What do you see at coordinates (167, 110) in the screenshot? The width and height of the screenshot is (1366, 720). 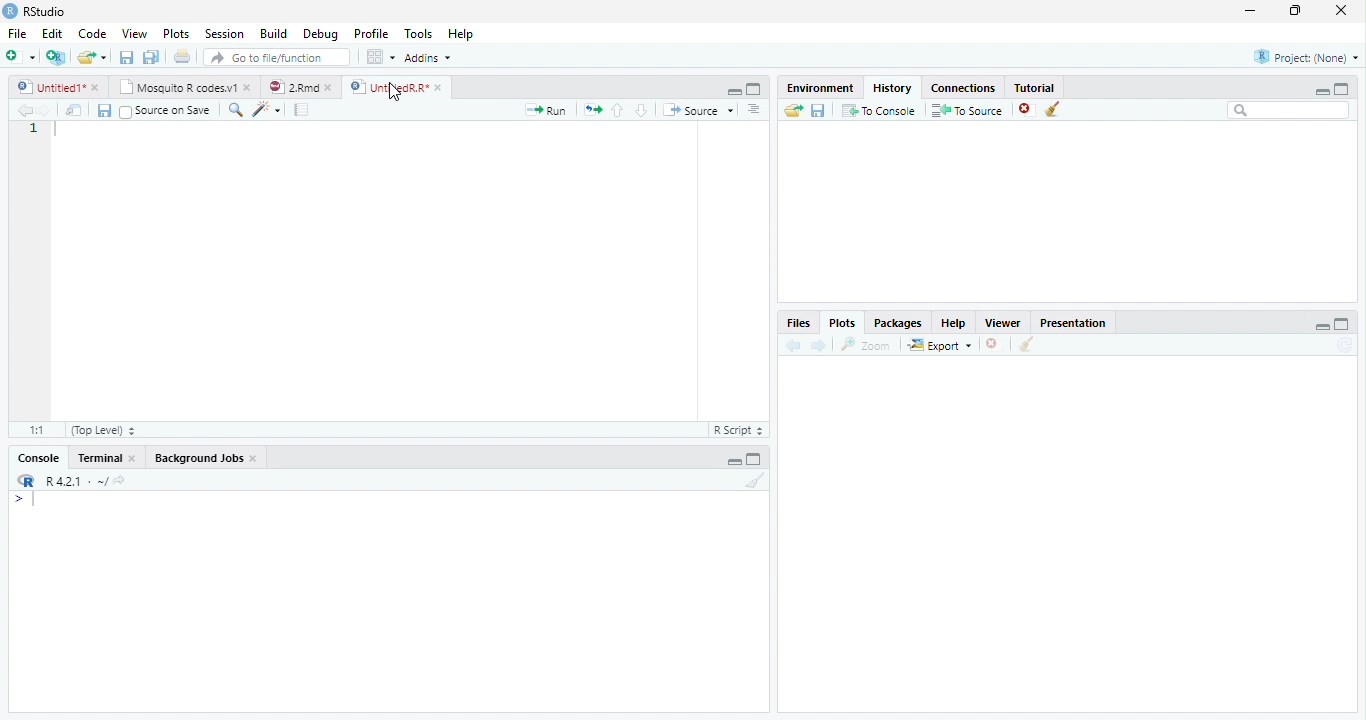 I see `Source on Save` at bounding box center [167, 110].